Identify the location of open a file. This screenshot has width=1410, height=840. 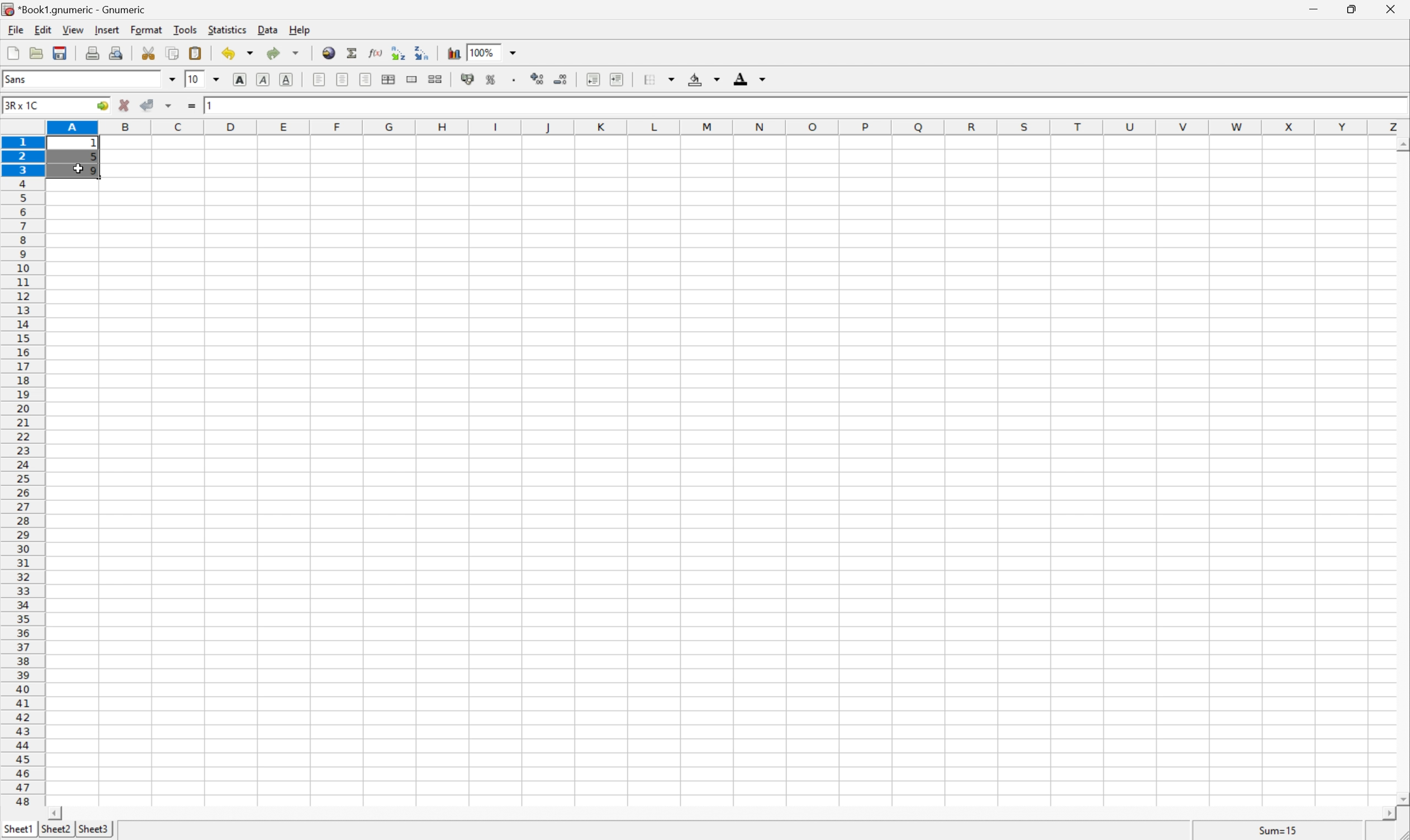
(35, 51).